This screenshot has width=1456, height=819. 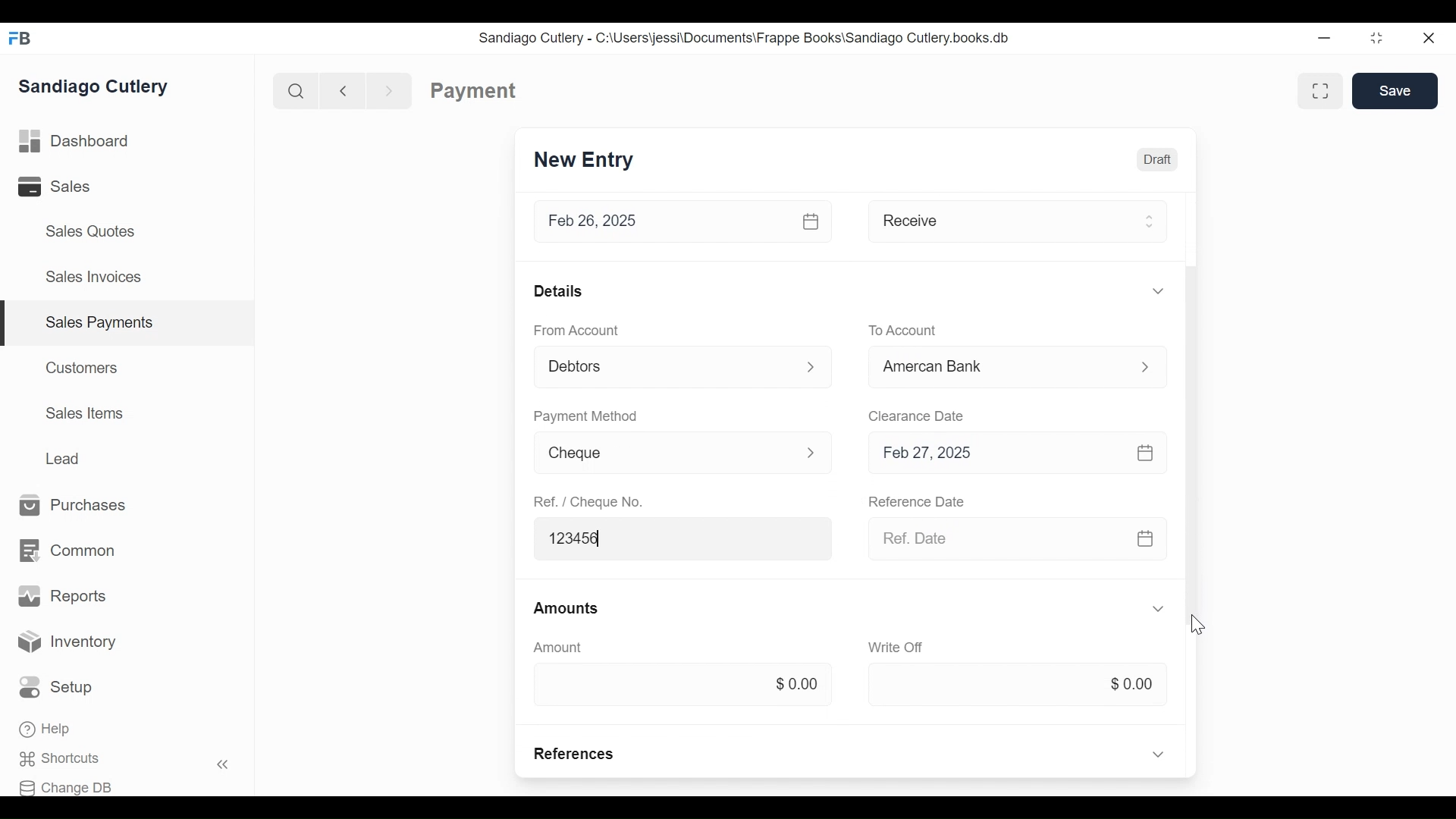 I want to click on Feb 27, 2025, so click(x=993, y=452).